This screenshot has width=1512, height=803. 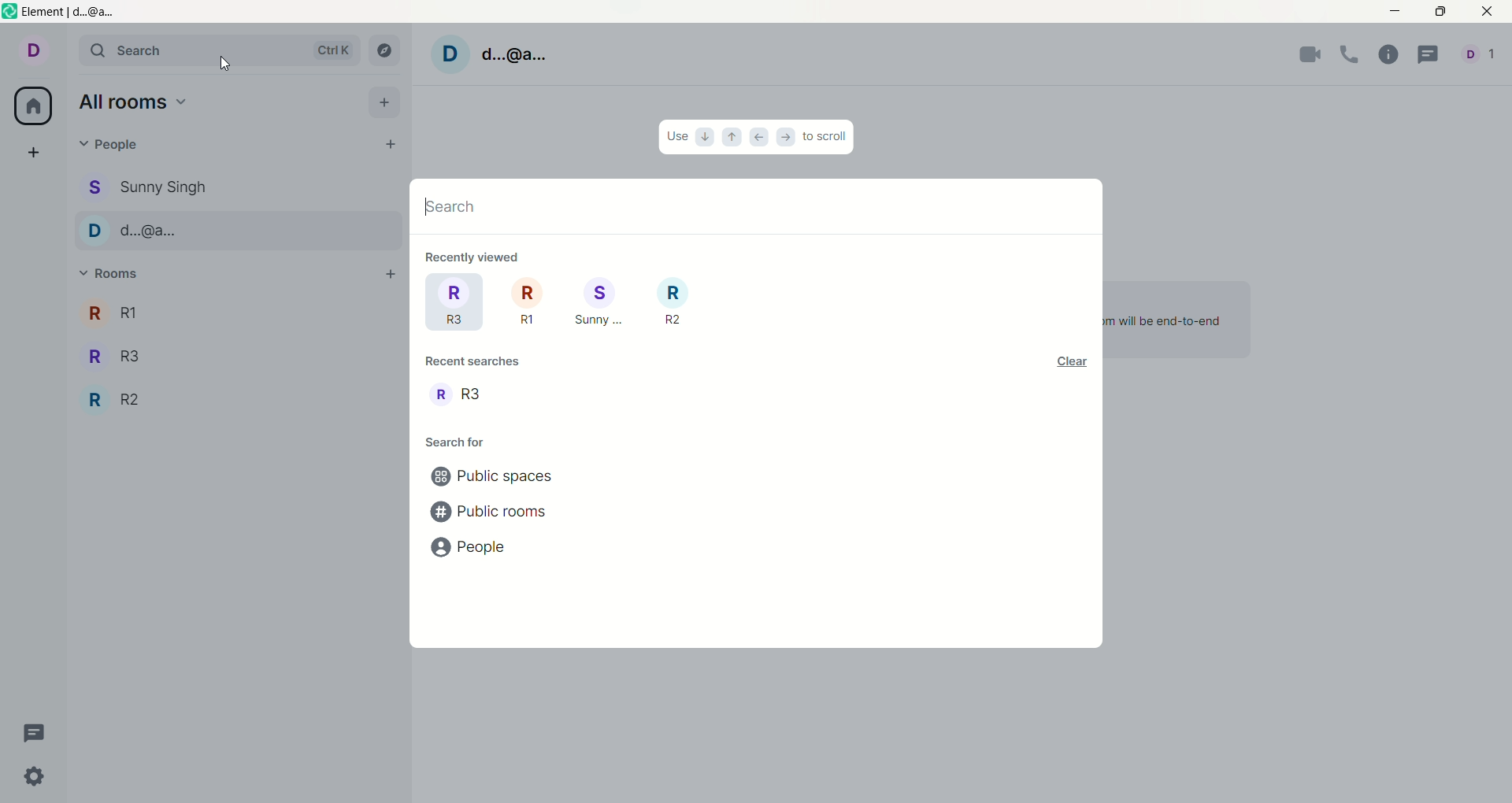 What do you see at coordinates (73, 13) in the screenshot?
I see `element` at bounding box center [73, 13].